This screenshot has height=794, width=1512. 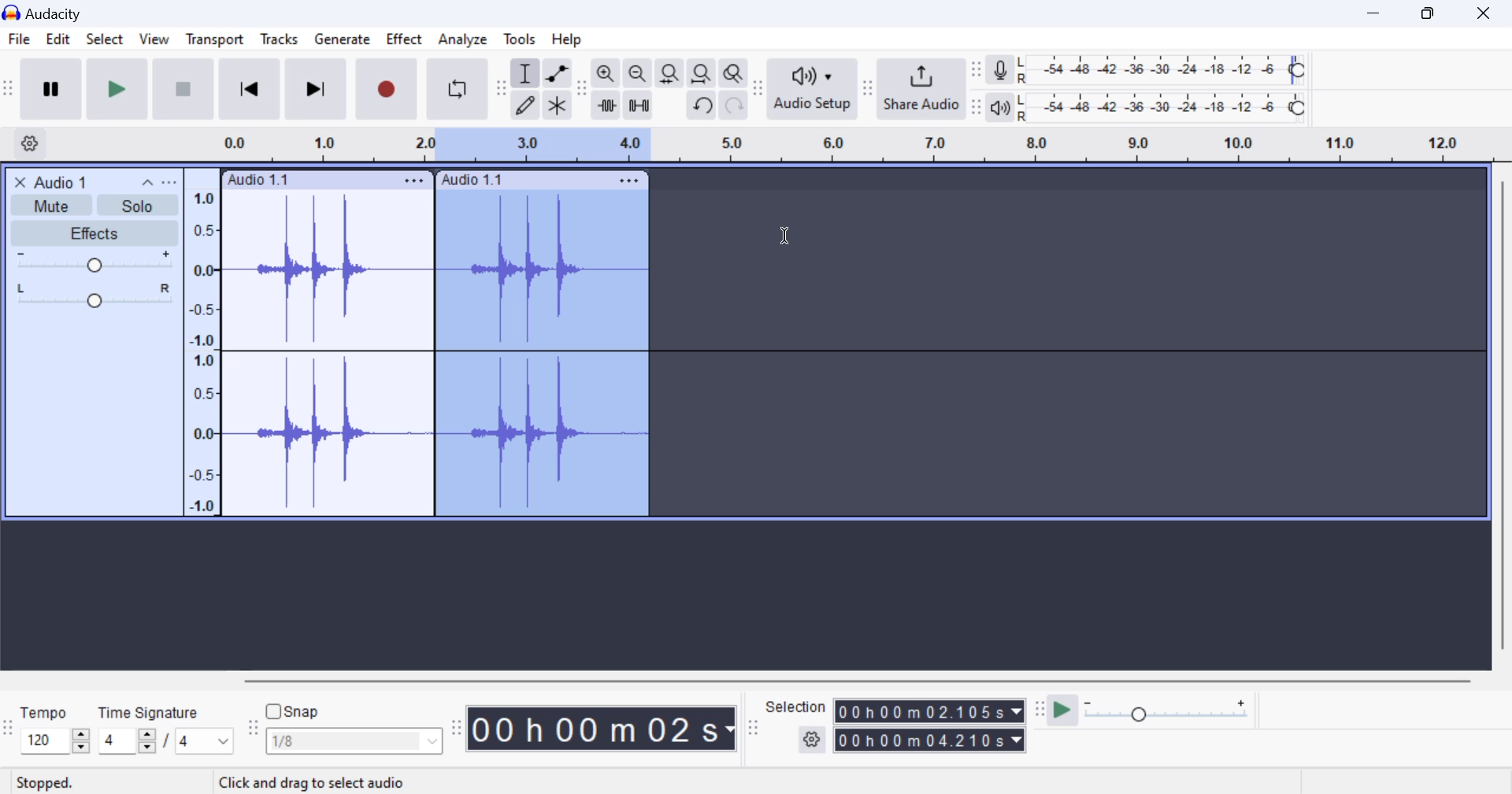 What do you see at coordinates (789, 239) in the screenshot?
I see `Cursor Position AFTER_LAST_ACTION` at bounding box center [789, 239].